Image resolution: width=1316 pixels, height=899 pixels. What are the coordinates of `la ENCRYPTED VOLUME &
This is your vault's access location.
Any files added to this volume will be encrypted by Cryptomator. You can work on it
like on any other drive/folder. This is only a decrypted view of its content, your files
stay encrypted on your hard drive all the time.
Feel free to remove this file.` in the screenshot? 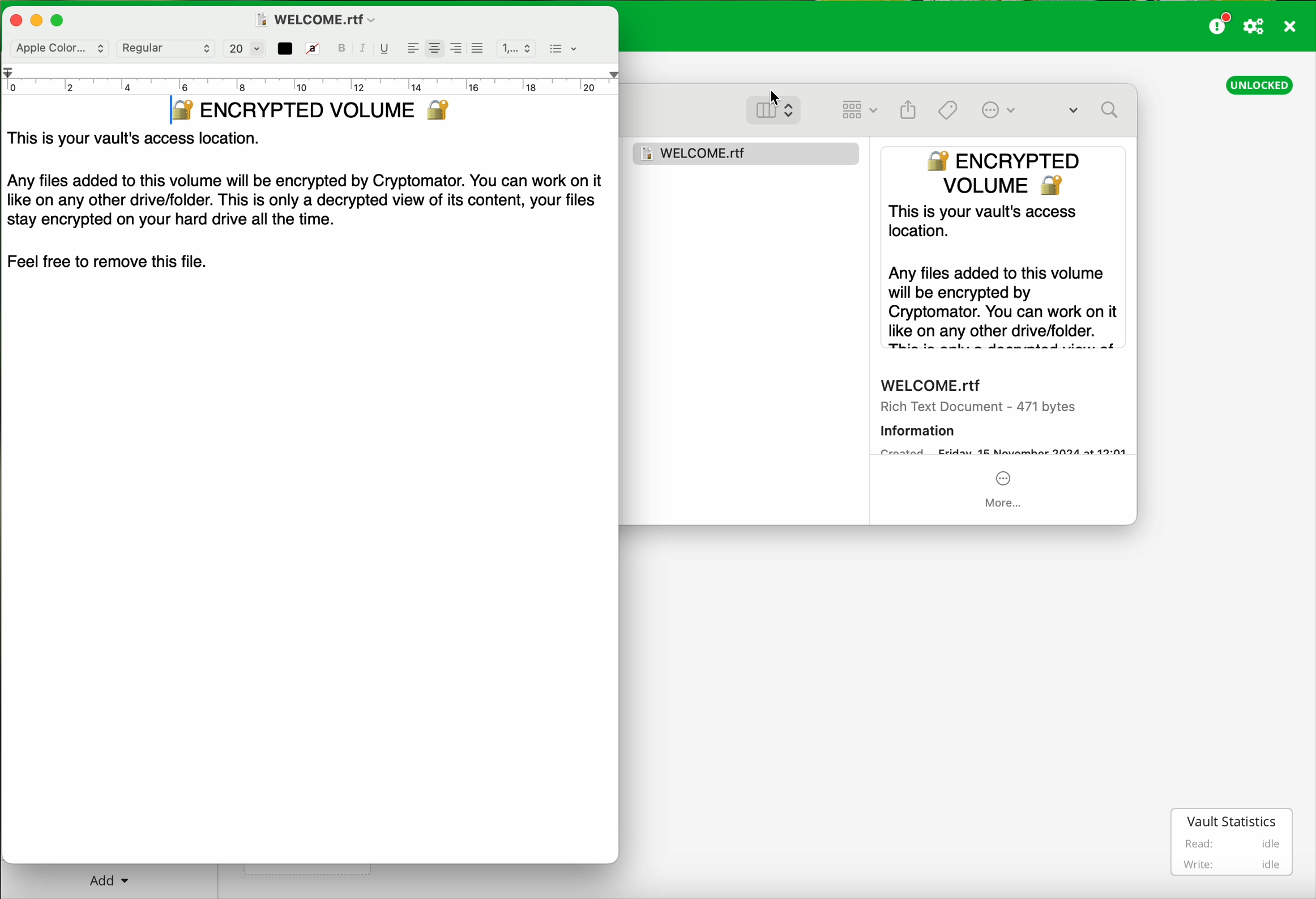 It's located at (309, 214).